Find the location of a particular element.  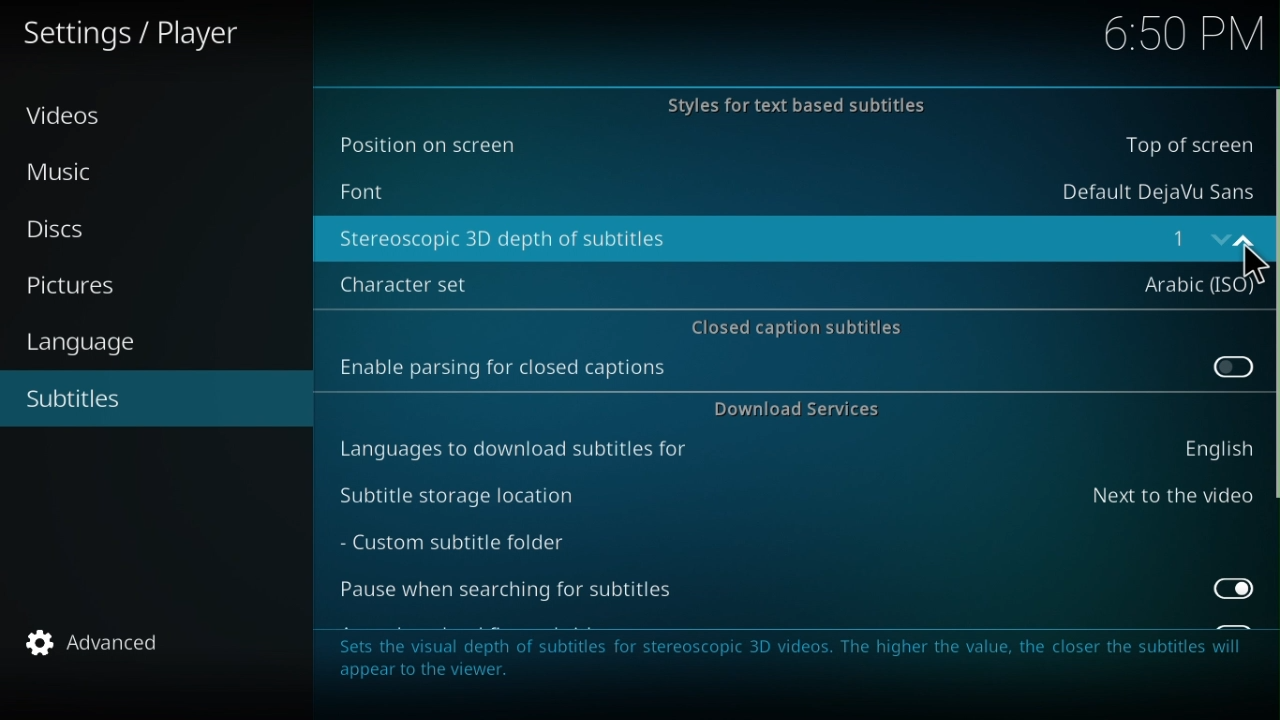

Pictures is located at coordinates (75, 284).